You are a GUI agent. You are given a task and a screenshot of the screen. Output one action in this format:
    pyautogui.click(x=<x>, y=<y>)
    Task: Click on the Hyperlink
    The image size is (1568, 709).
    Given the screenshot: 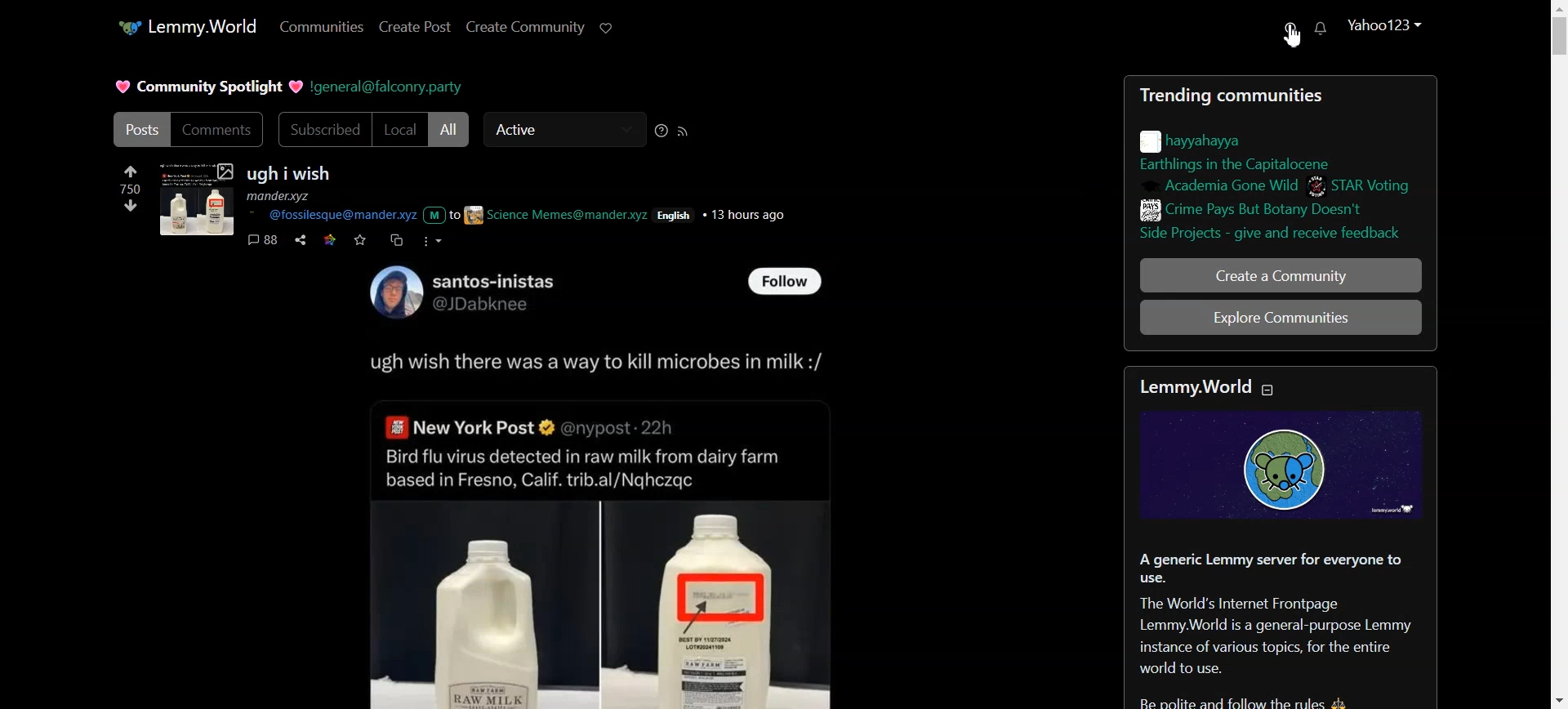 What is the action you would take?
    pyautogui.click(x=523, y=216)
    